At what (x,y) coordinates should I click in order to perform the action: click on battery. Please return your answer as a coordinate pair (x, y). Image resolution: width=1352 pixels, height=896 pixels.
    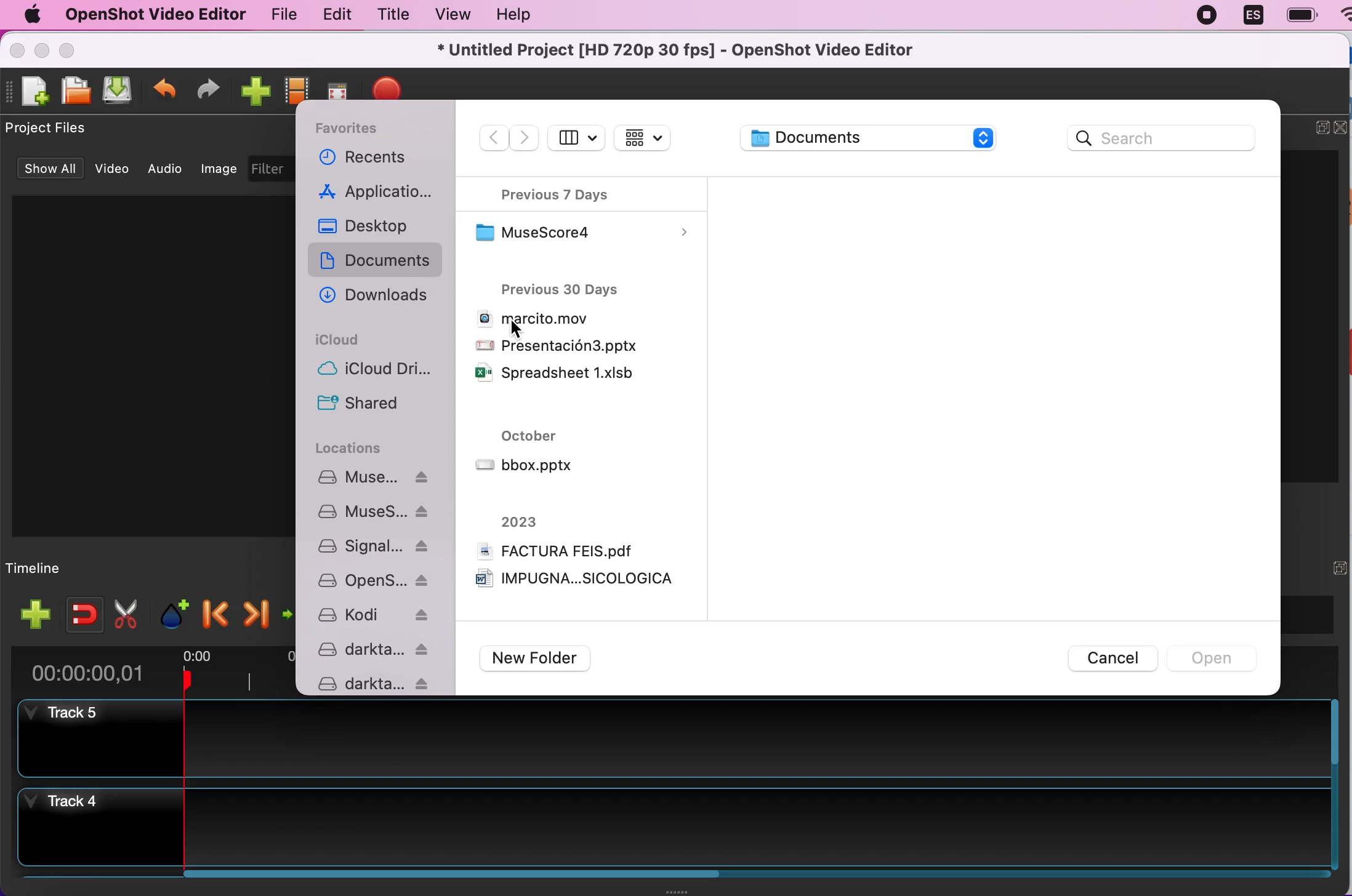
    Looking at the image, I should click on (1300, 16).